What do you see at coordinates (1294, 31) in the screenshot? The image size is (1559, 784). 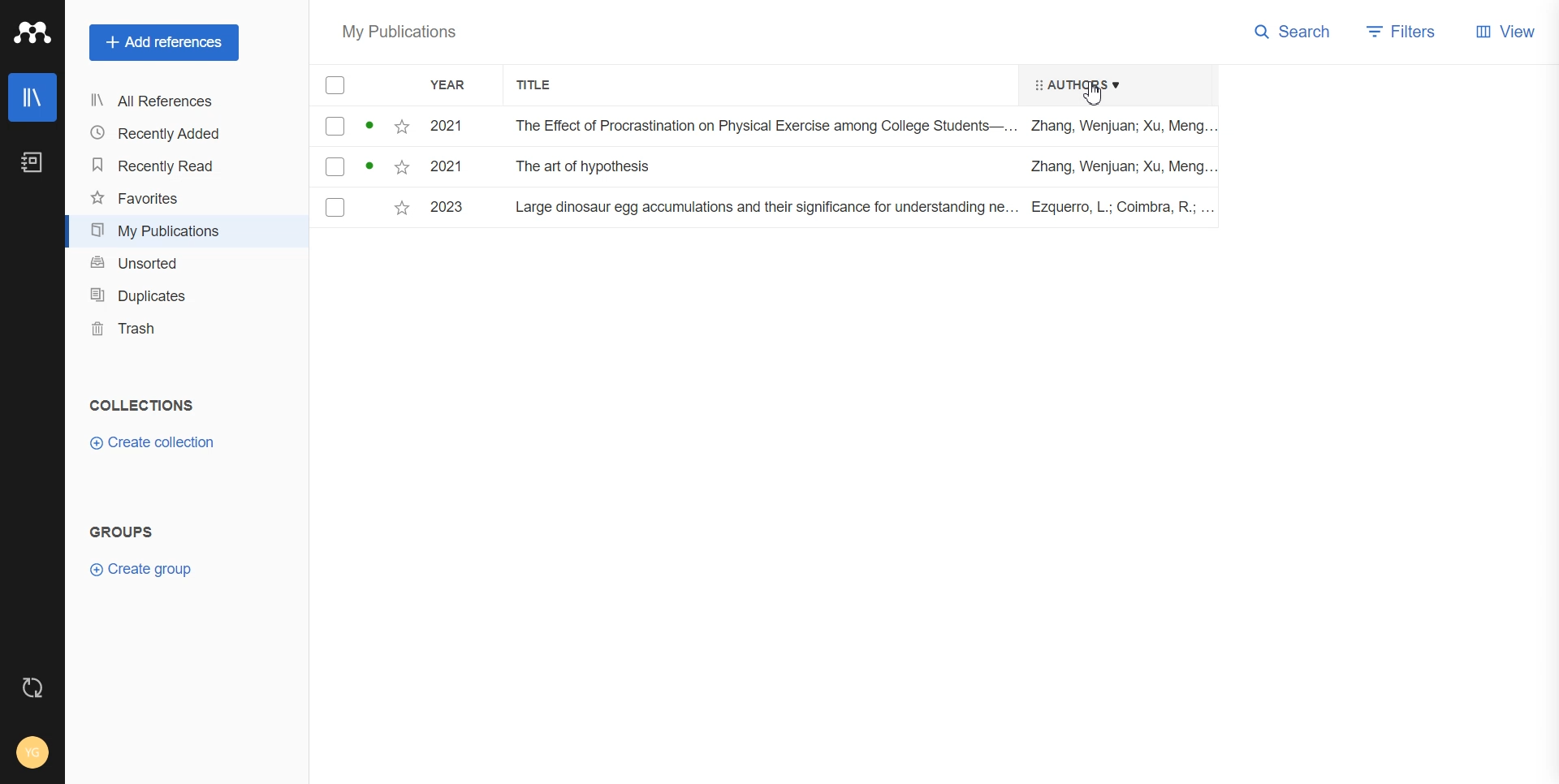 I see `Search` at bounding box center [1294, 31].